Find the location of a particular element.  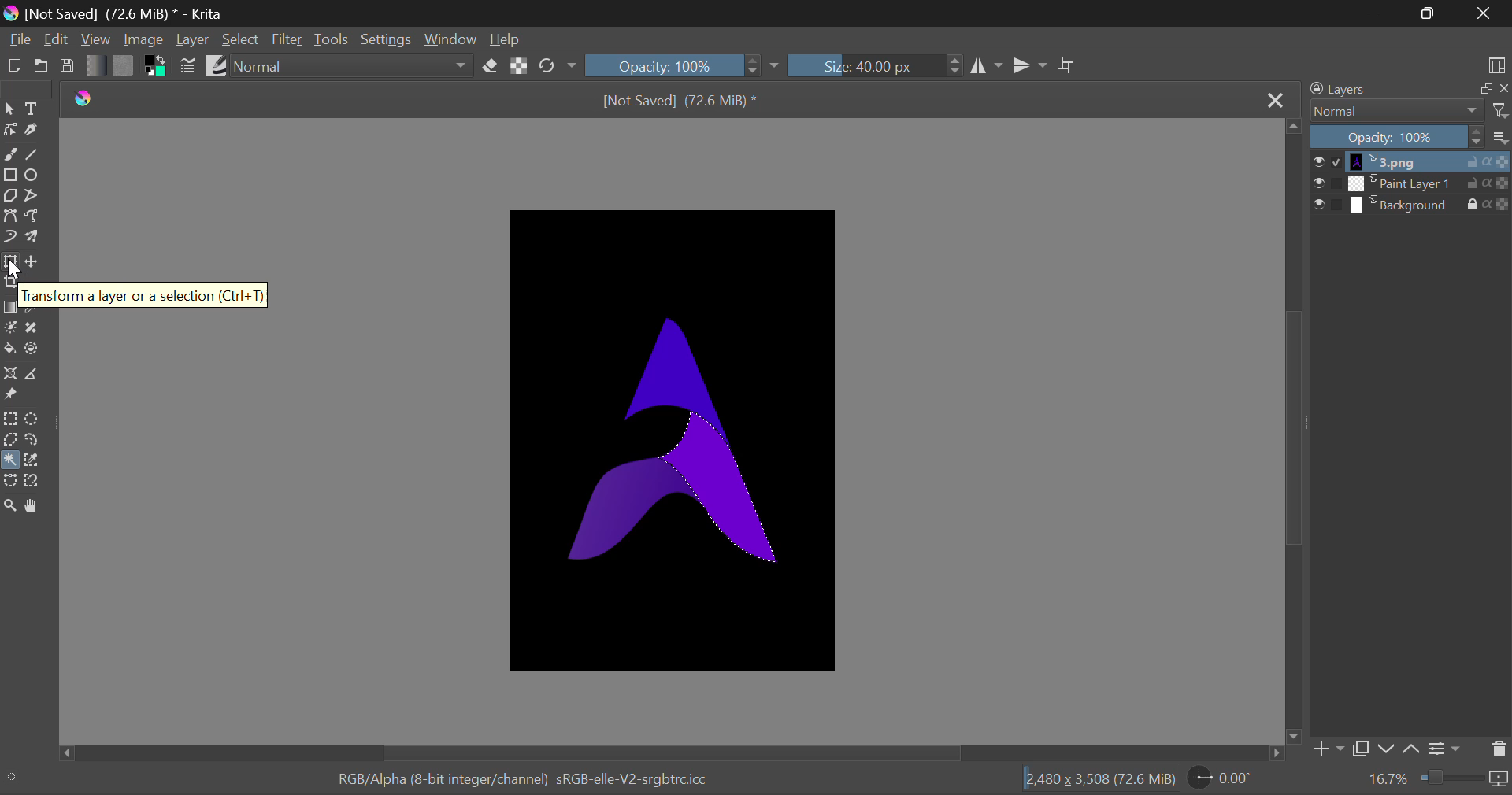

Layers Docker Tab is located at coordinates (1345, 90).